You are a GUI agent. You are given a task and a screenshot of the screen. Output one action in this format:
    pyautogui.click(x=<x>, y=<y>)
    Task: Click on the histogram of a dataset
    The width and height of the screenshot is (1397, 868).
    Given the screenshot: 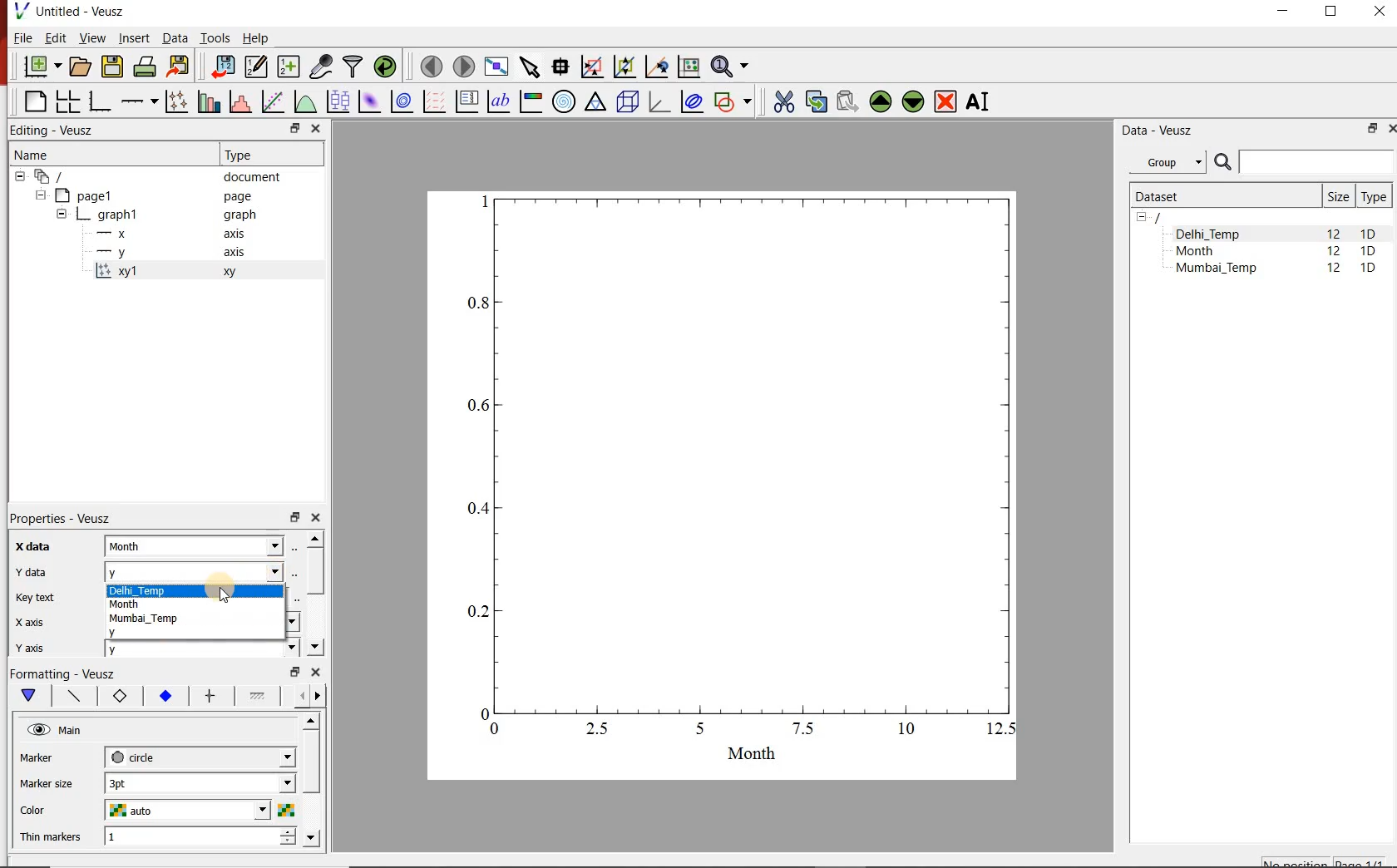 What is the action you would take?
    pyautogui.click(x=239, y=101)
    